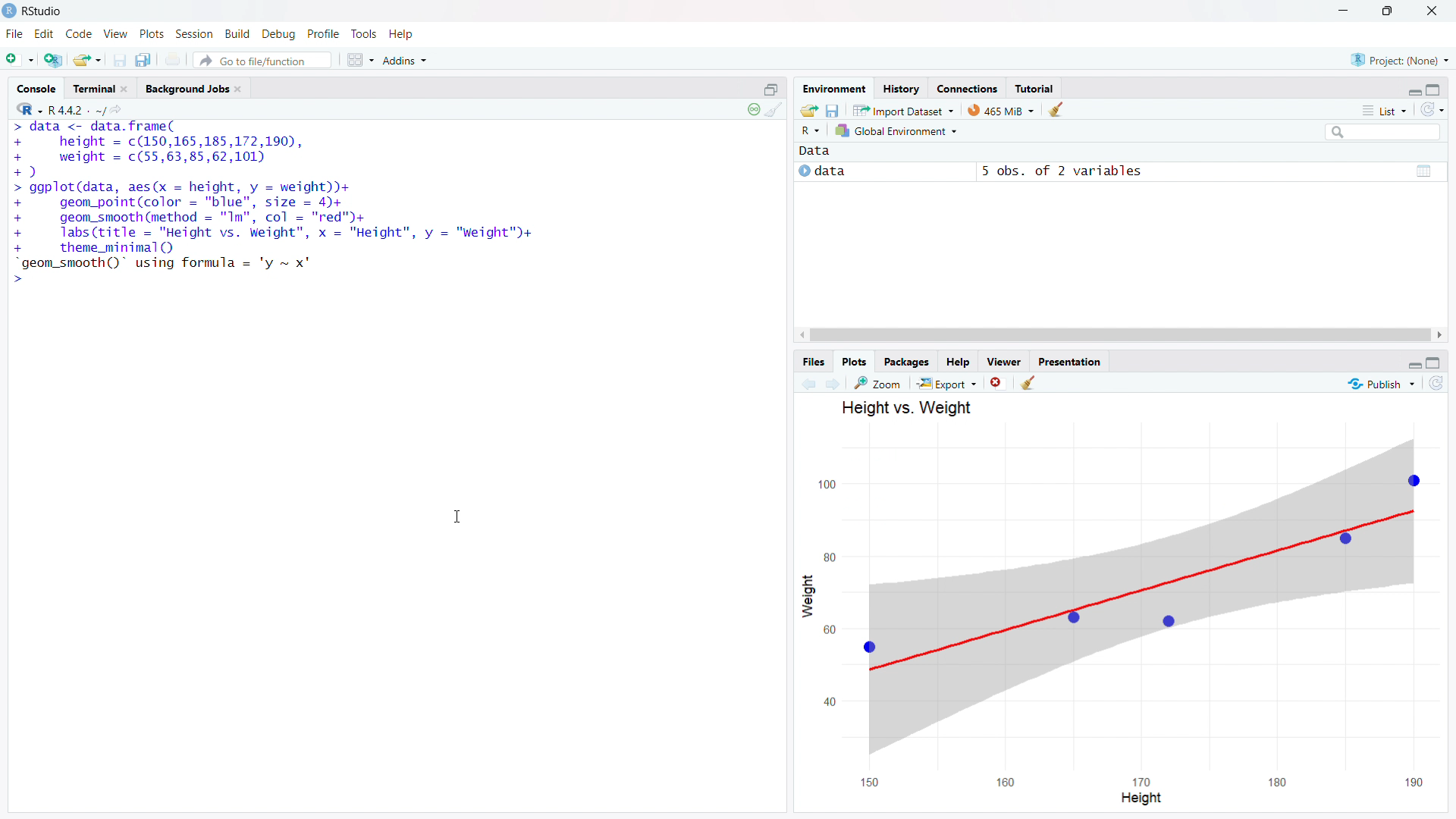  Describe the element at coordinates (833, 109) in the screenshot. I see `save worksoace as` at that location.